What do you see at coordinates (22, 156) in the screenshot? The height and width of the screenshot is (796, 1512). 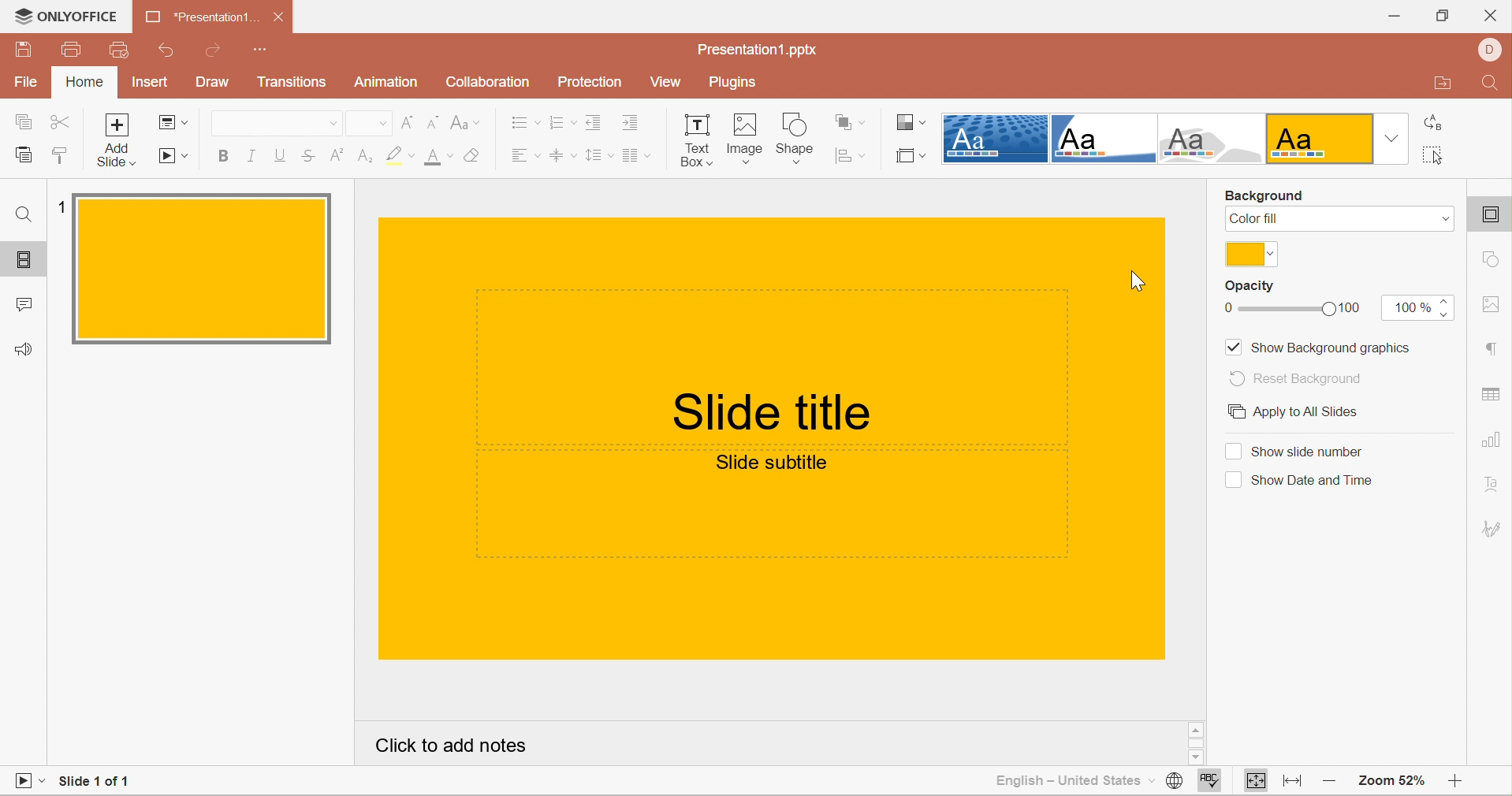 I see `Paste` at bounding box center [22, 156].